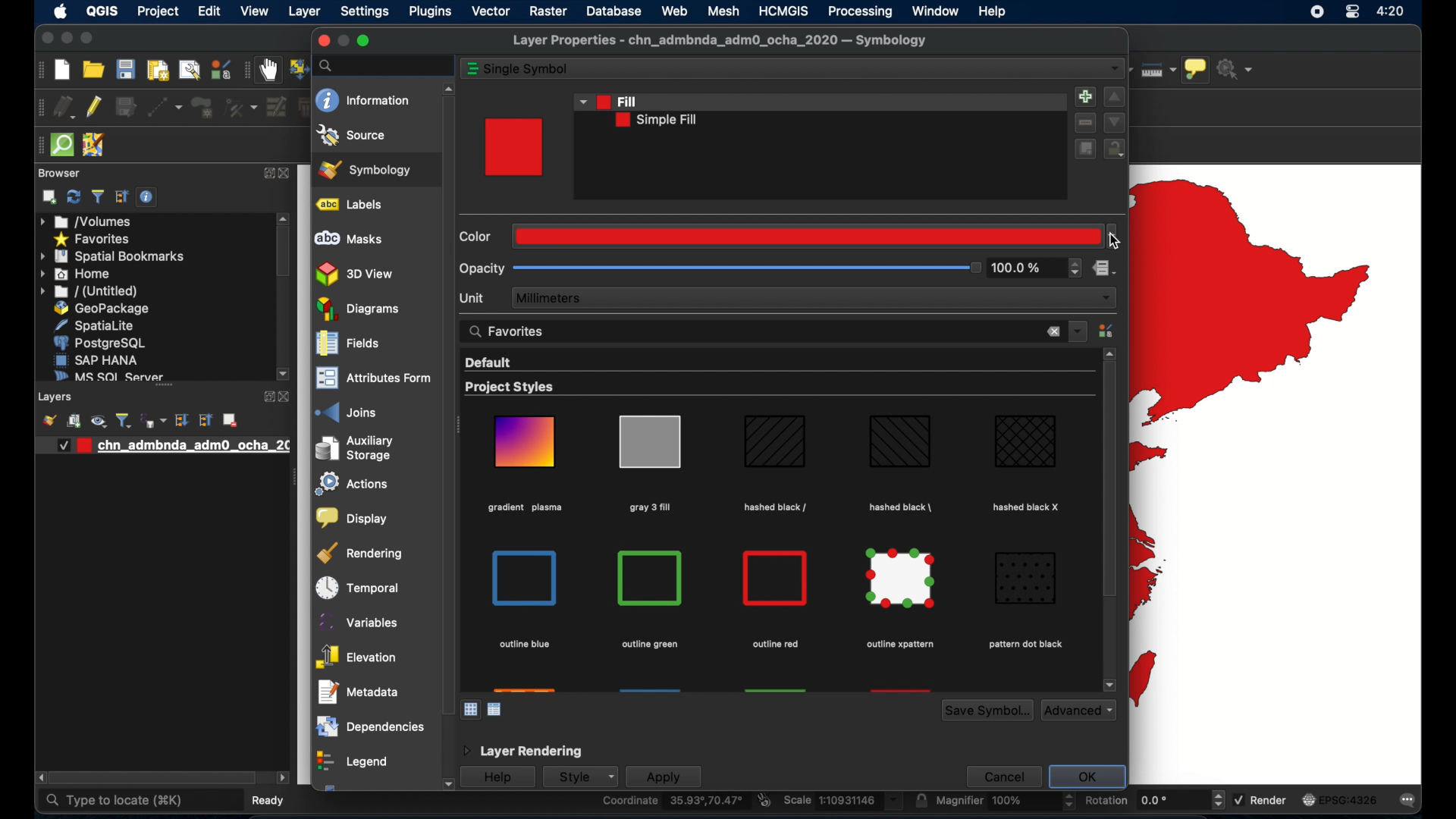  I want to click on Gradient preview , so click(1026, 441).